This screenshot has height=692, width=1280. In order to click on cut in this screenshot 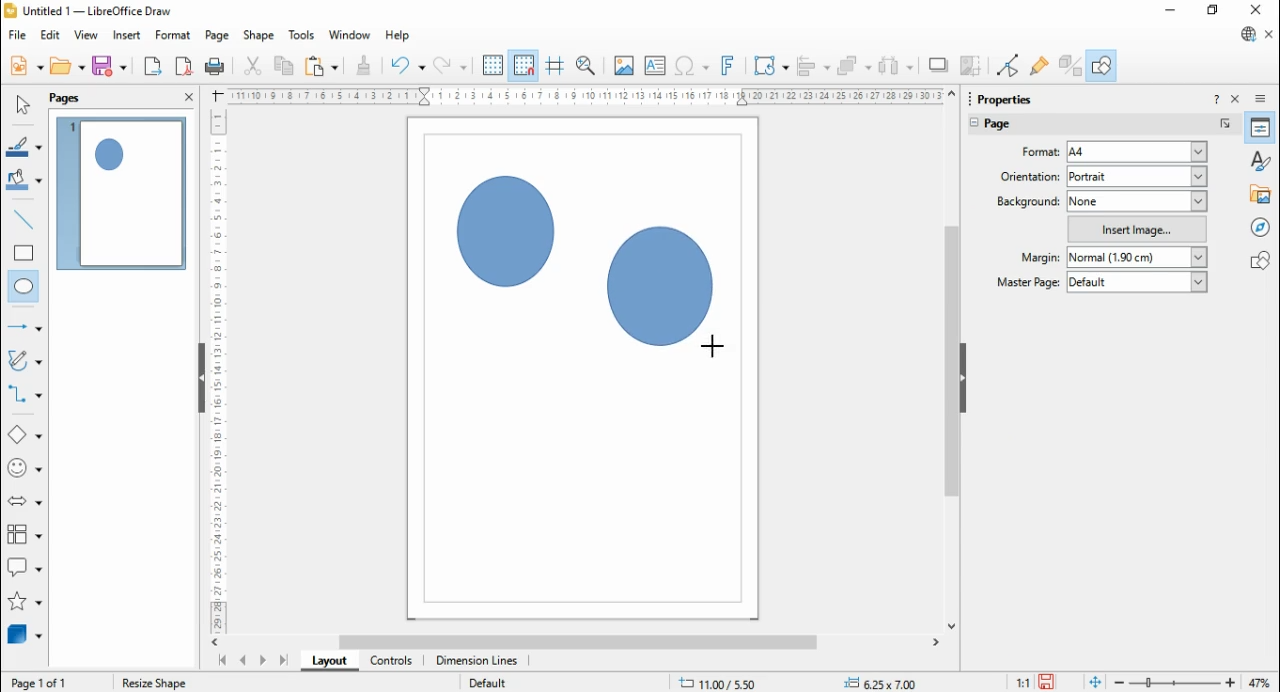, I will do `click(252, 65)`.